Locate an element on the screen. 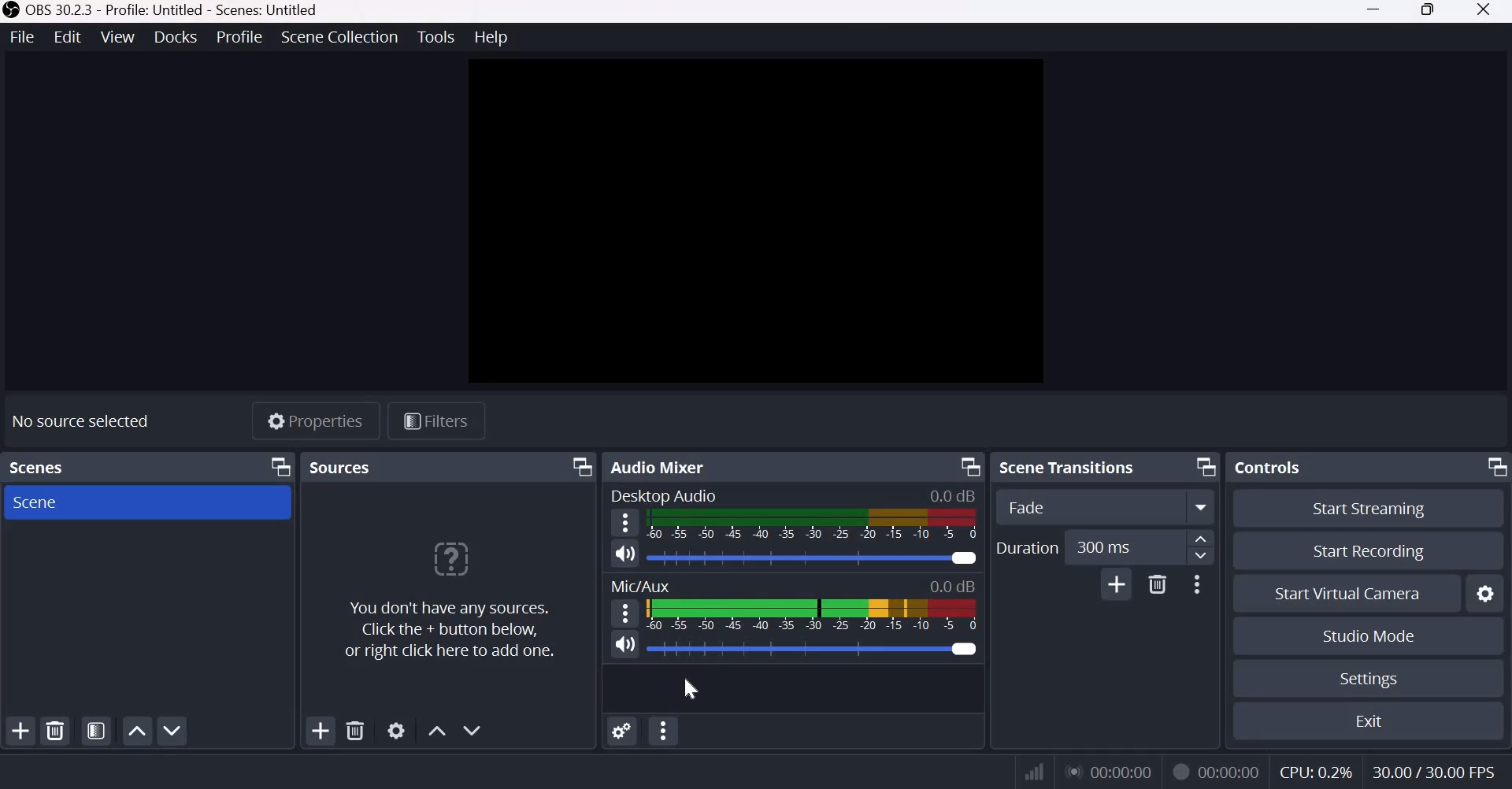 The height and width of the screenshot is (789, 1512). Duration is located at coordinates (1026, 546).